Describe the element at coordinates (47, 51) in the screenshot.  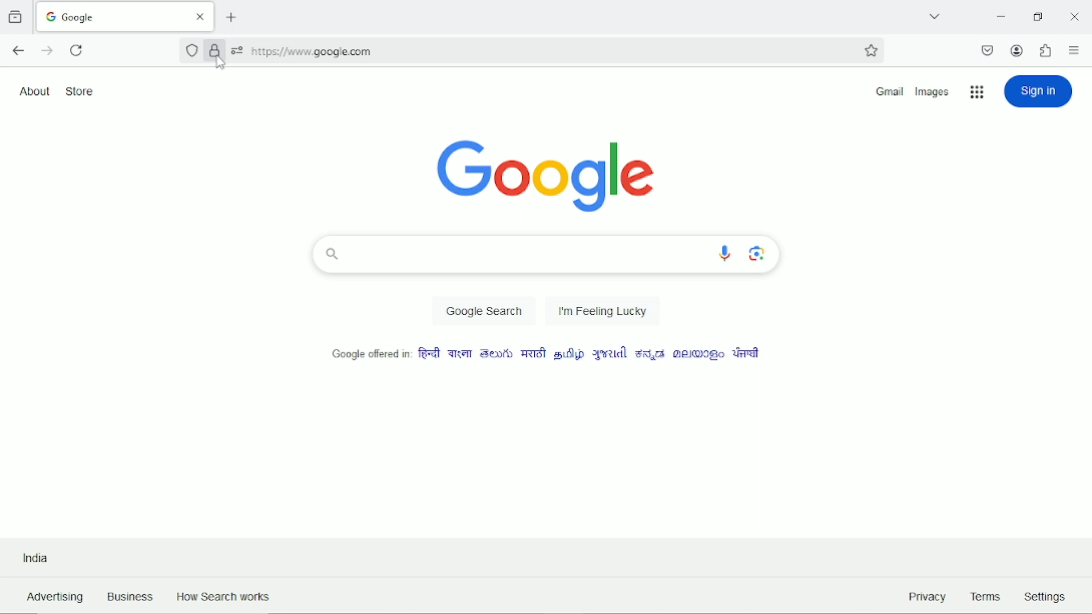
I see `Go forward` at that location.